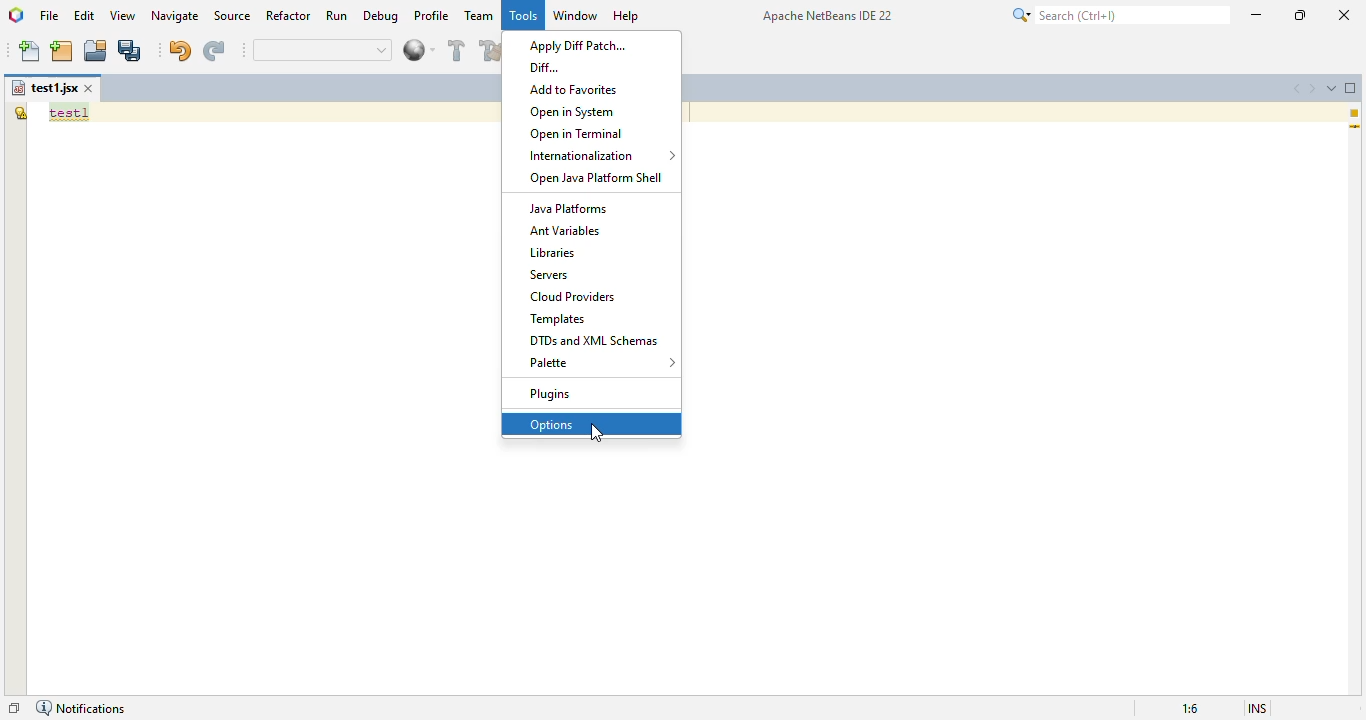 The image size is (1366, 720). What do you see at coordinates (598, 155) in the screenshot?
I see `internationalization` at bounding box center [598, 155].